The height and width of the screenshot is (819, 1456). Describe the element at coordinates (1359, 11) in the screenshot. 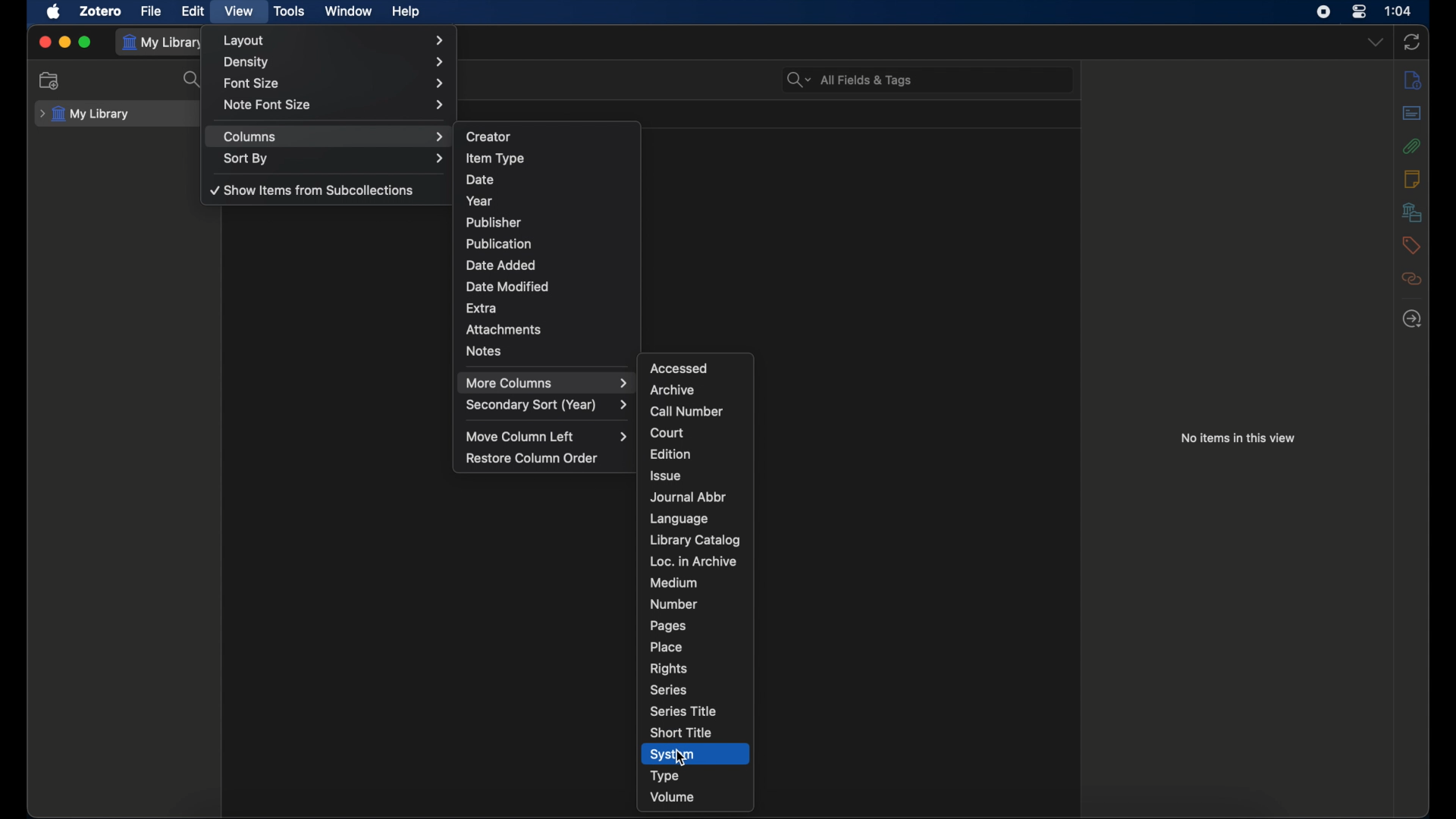

I see `control center` at that location.